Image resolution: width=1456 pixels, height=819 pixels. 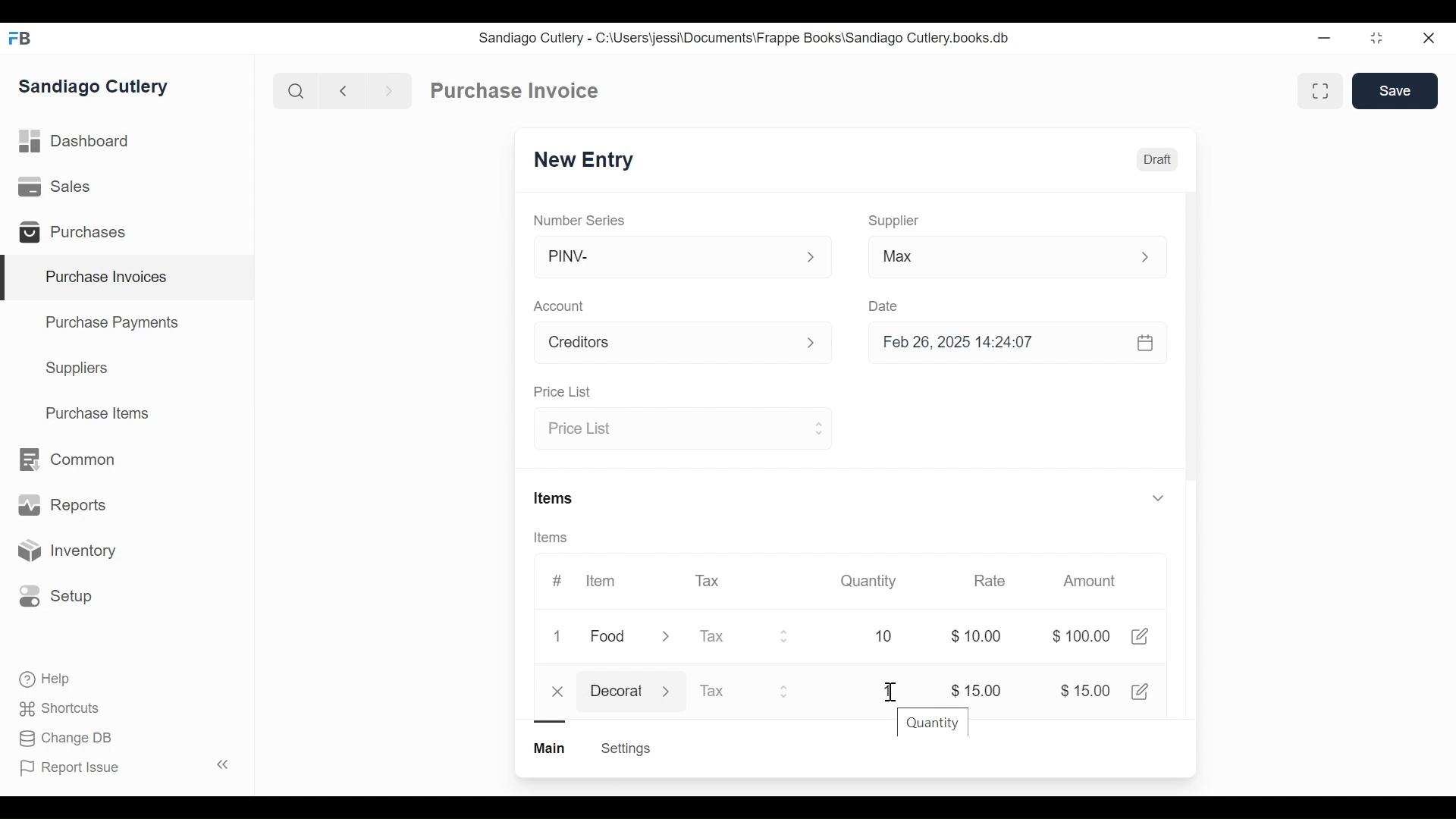 What do you see at coordinates (388, 89) in the screenshot?
I see `Navigate forward` at bounding box center [388, 89].